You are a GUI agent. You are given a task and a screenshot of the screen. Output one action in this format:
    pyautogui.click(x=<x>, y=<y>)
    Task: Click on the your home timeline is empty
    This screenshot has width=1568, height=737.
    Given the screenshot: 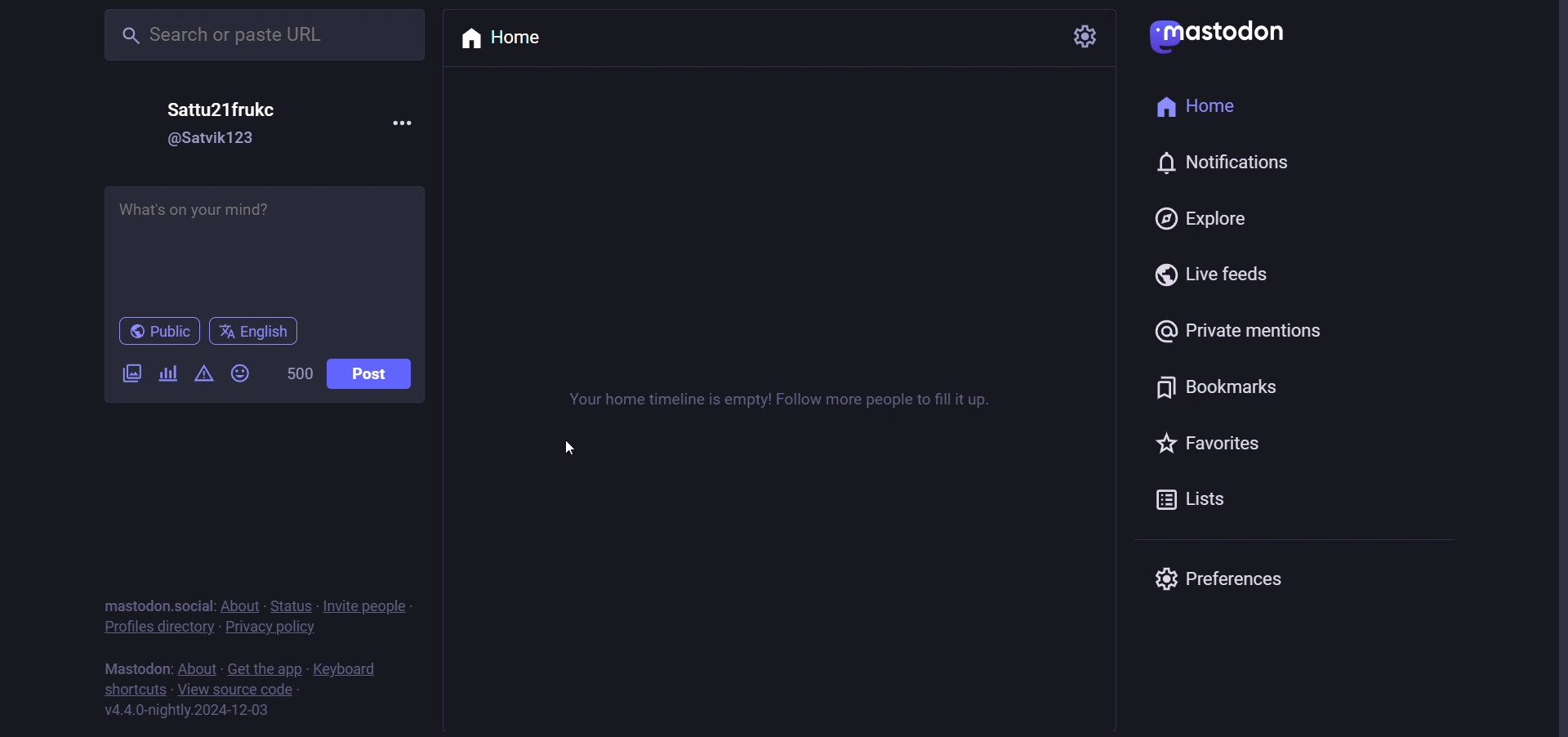 What is the action you would take?
    pyautogui.click(x=773, y=401)
    